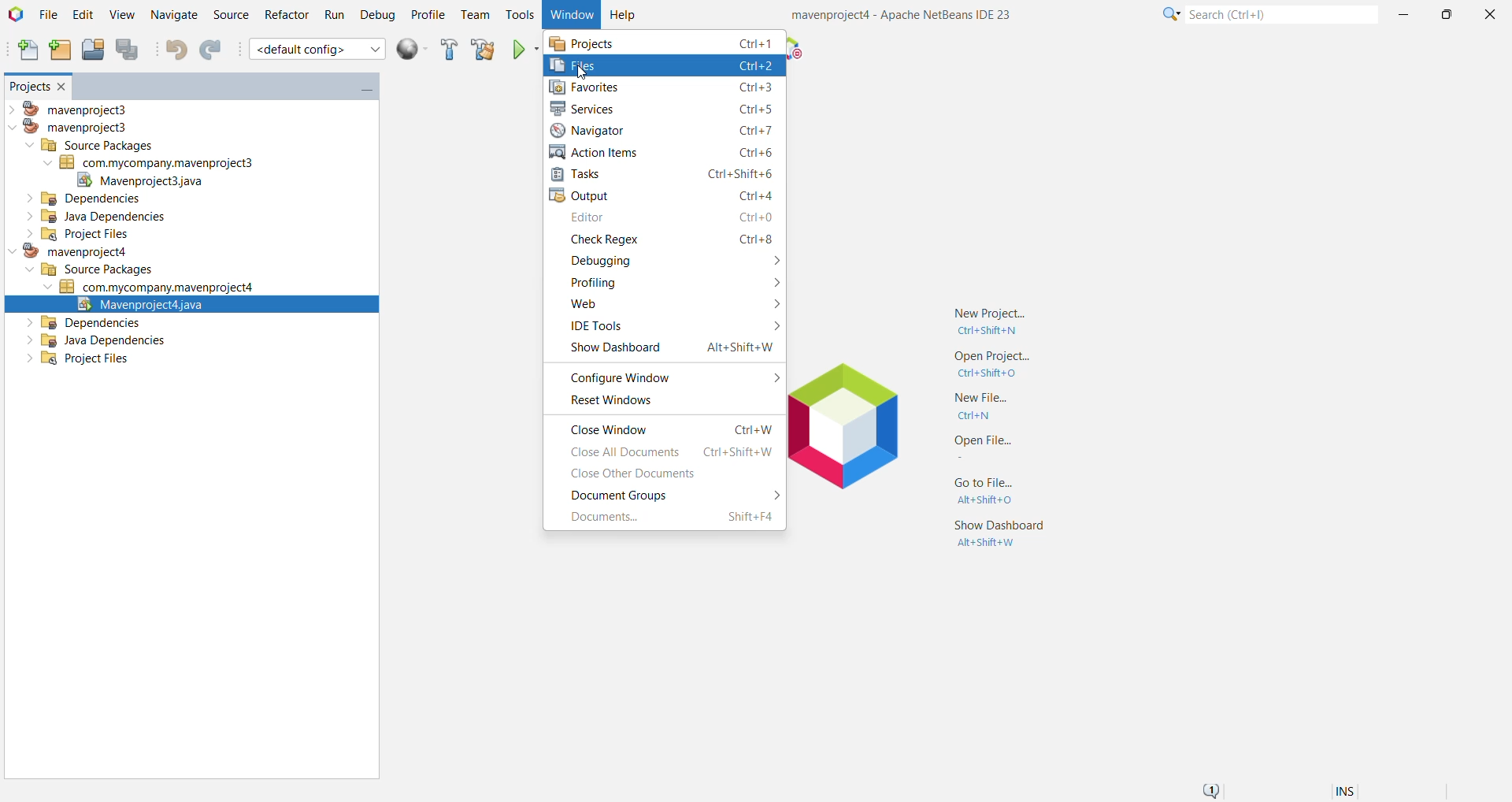 The image size is (1512, 802). Describe the element at coordinates (671, 305) in the screenshot. I see `Web` at that location.